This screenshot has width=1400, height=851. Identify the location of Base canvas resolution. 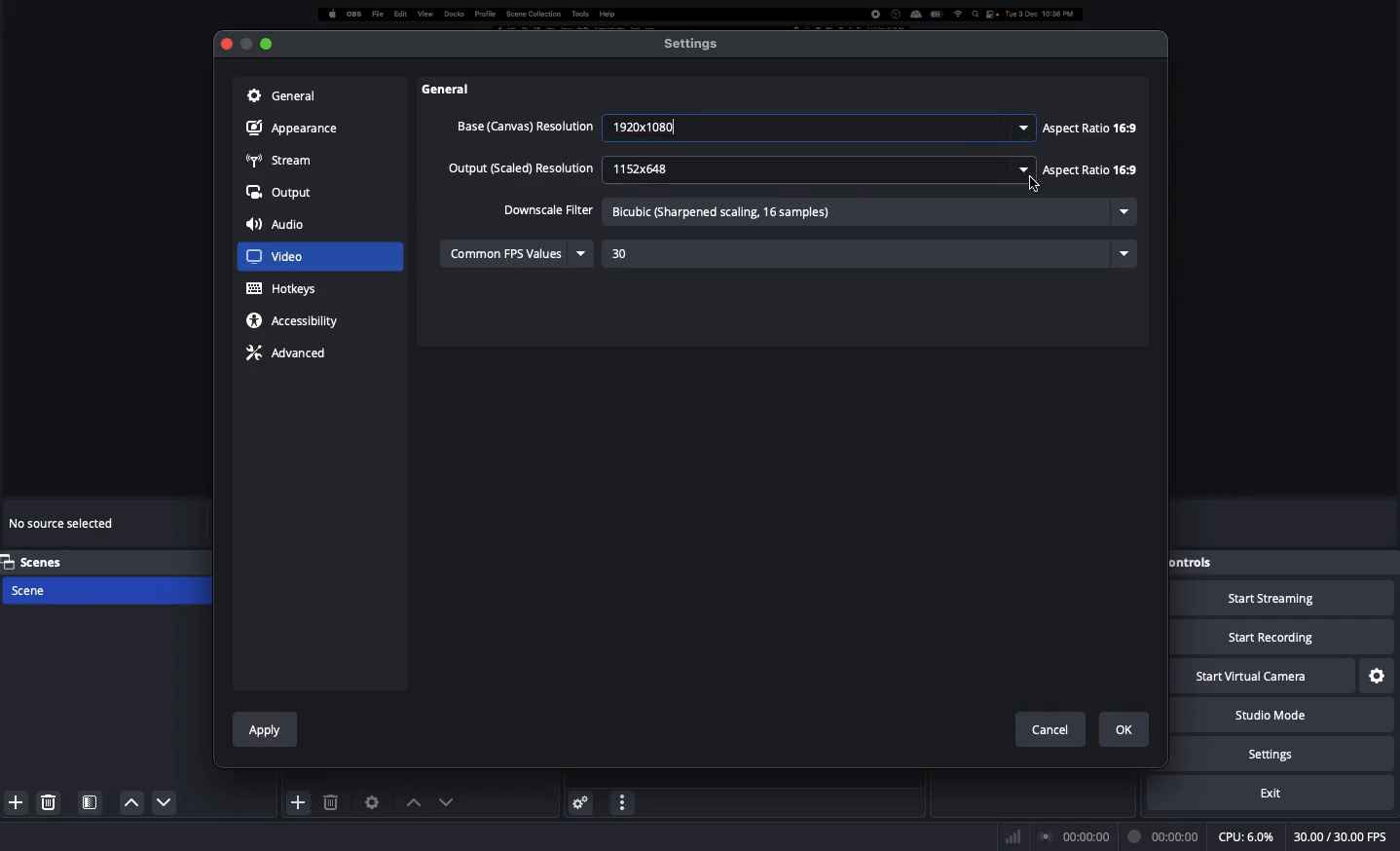
(523, 126).